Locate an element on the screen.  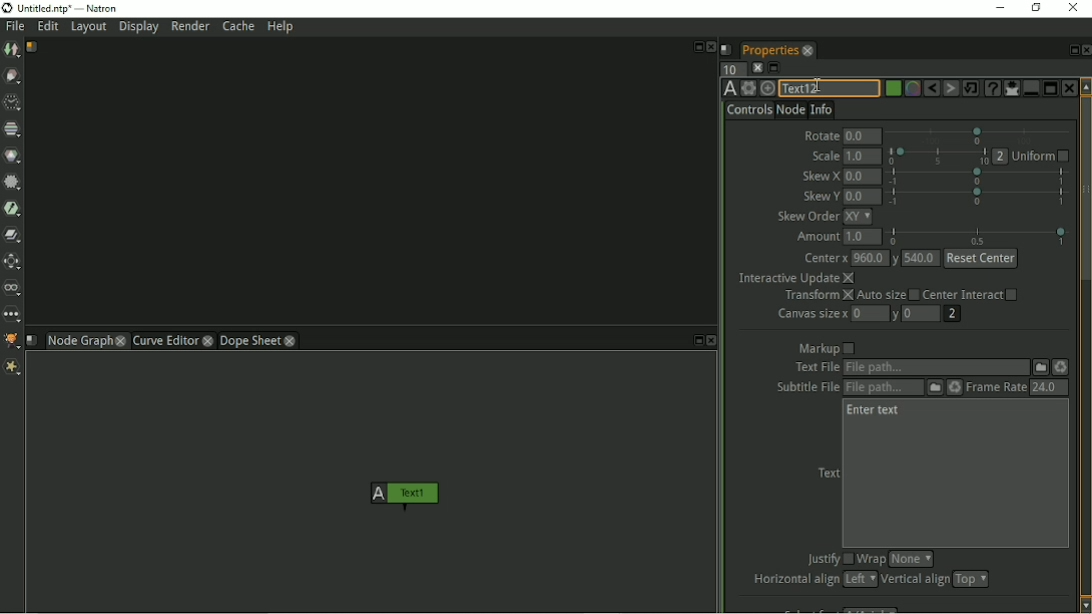
Layout is located at coordinates (88, 28).